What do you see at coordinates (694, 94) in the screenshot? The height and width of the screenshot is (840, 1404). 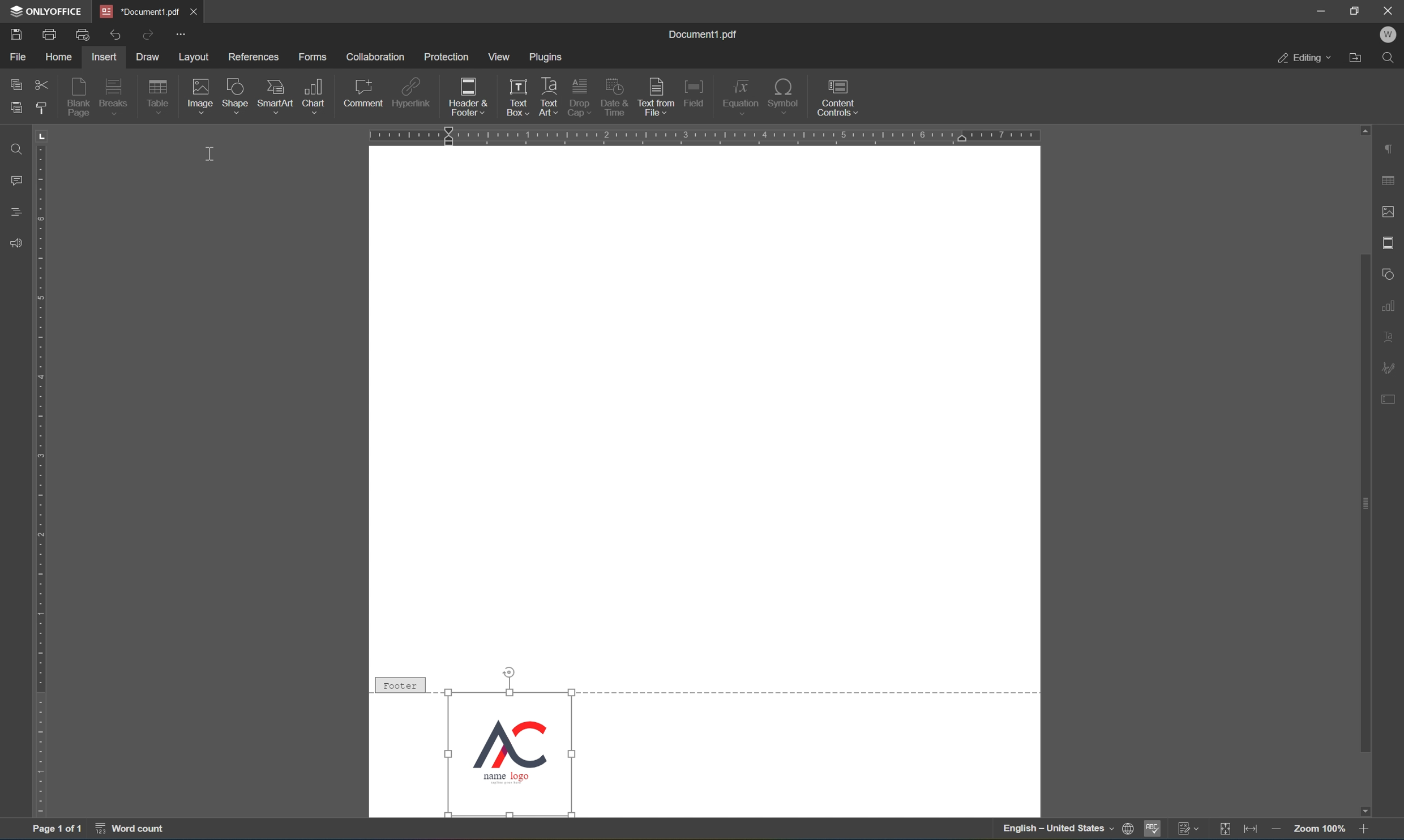 I see `field` at bounding box center [694, 94].